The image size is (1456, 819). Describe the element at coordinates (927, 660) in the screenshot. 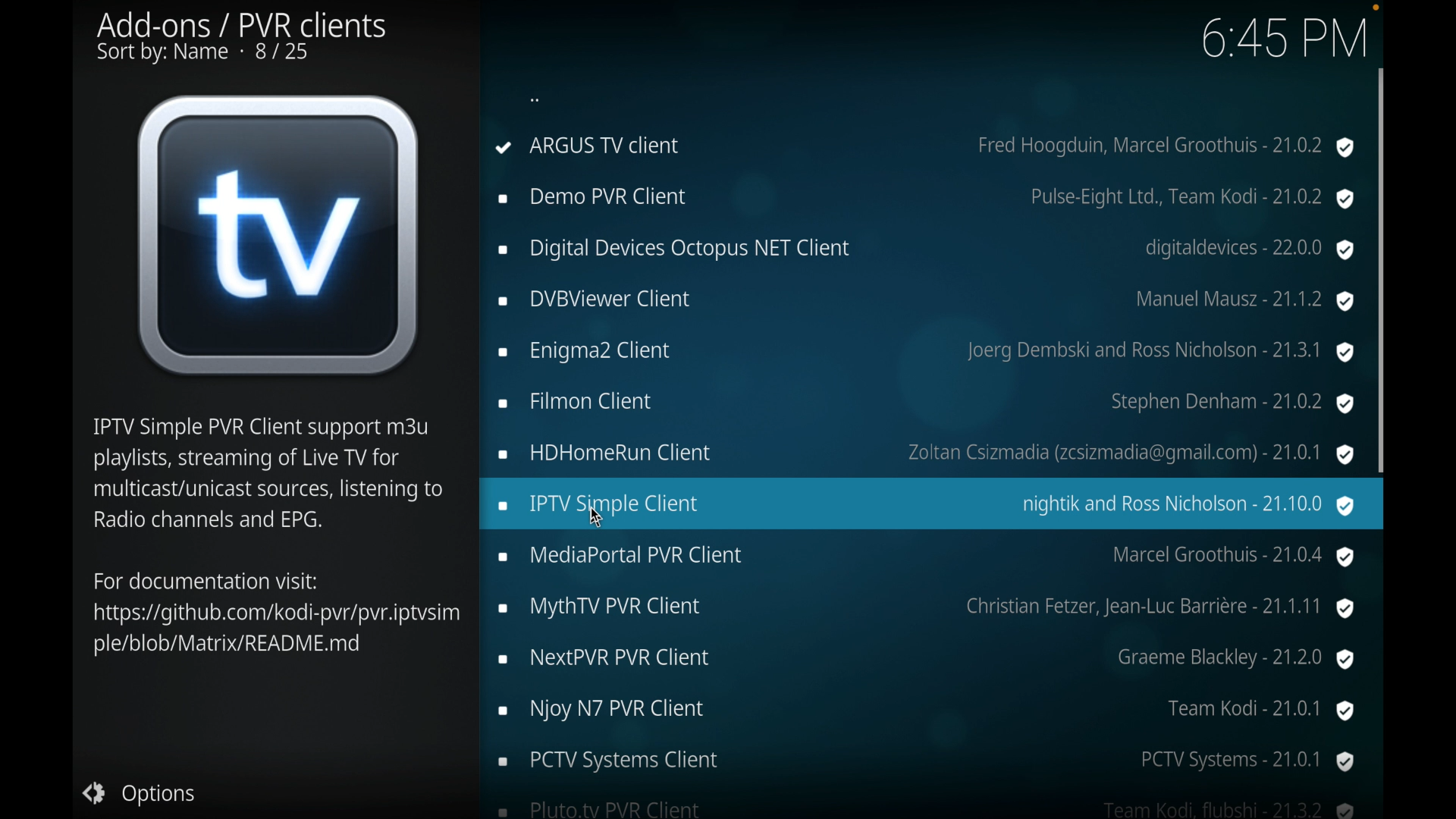

I see `nextpvr pvr client` at that location.